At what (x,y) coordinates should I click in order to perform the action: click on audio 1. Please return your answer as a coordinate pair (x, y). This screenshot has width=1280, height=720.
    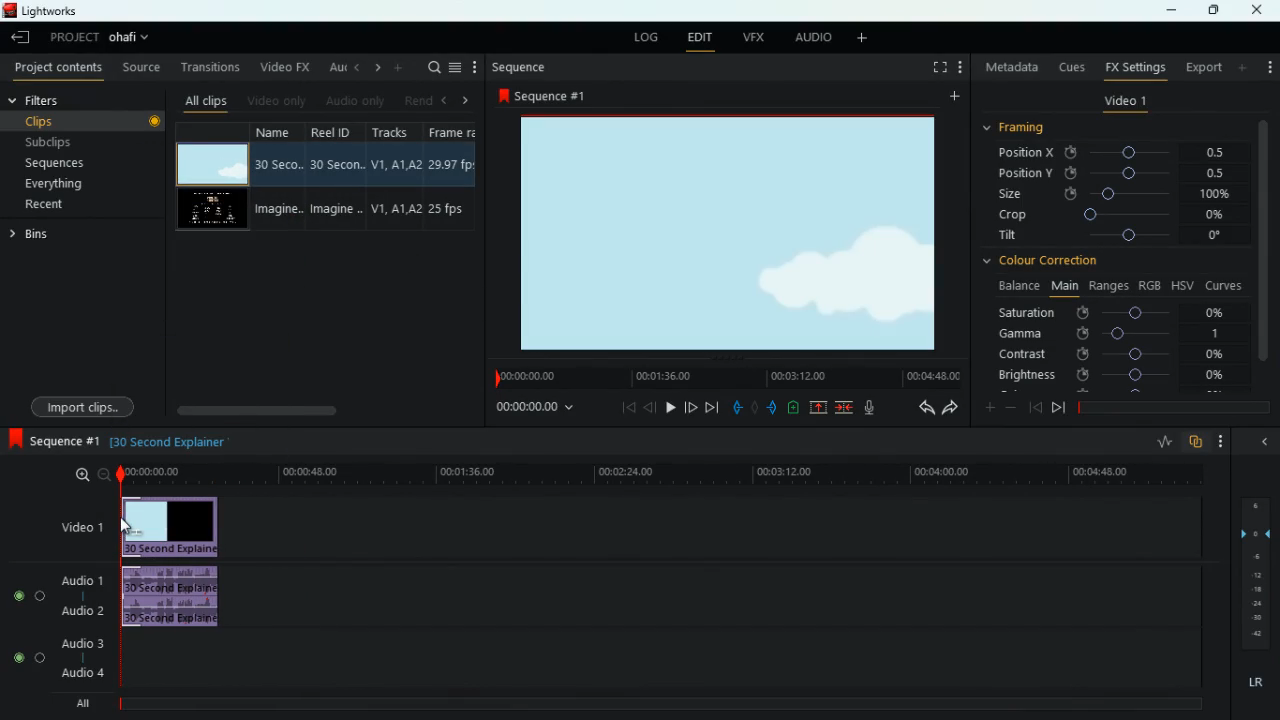
    Looking at the image, I should click on (78, 578).